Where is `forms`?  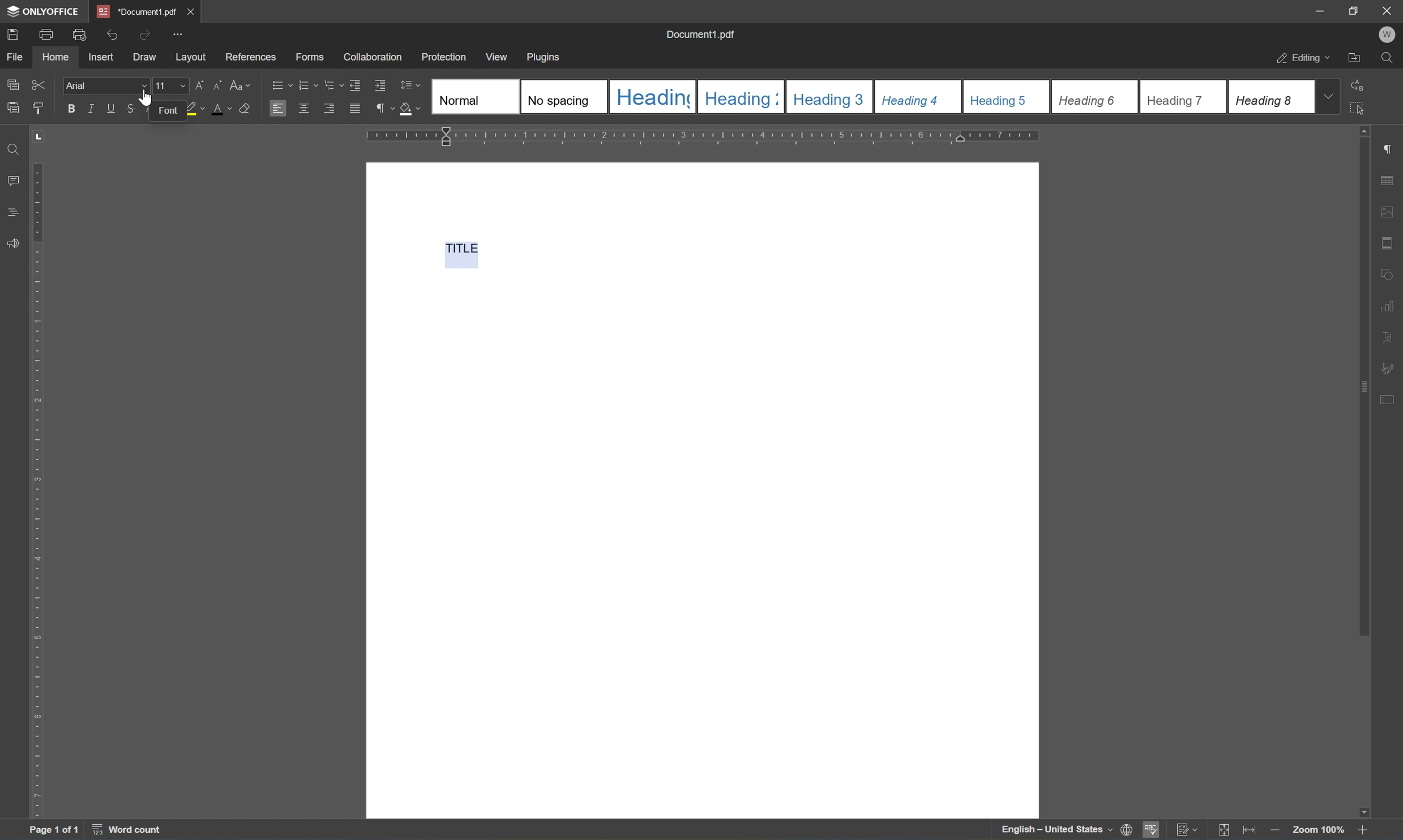
forms is located at coordinates (311, 57).